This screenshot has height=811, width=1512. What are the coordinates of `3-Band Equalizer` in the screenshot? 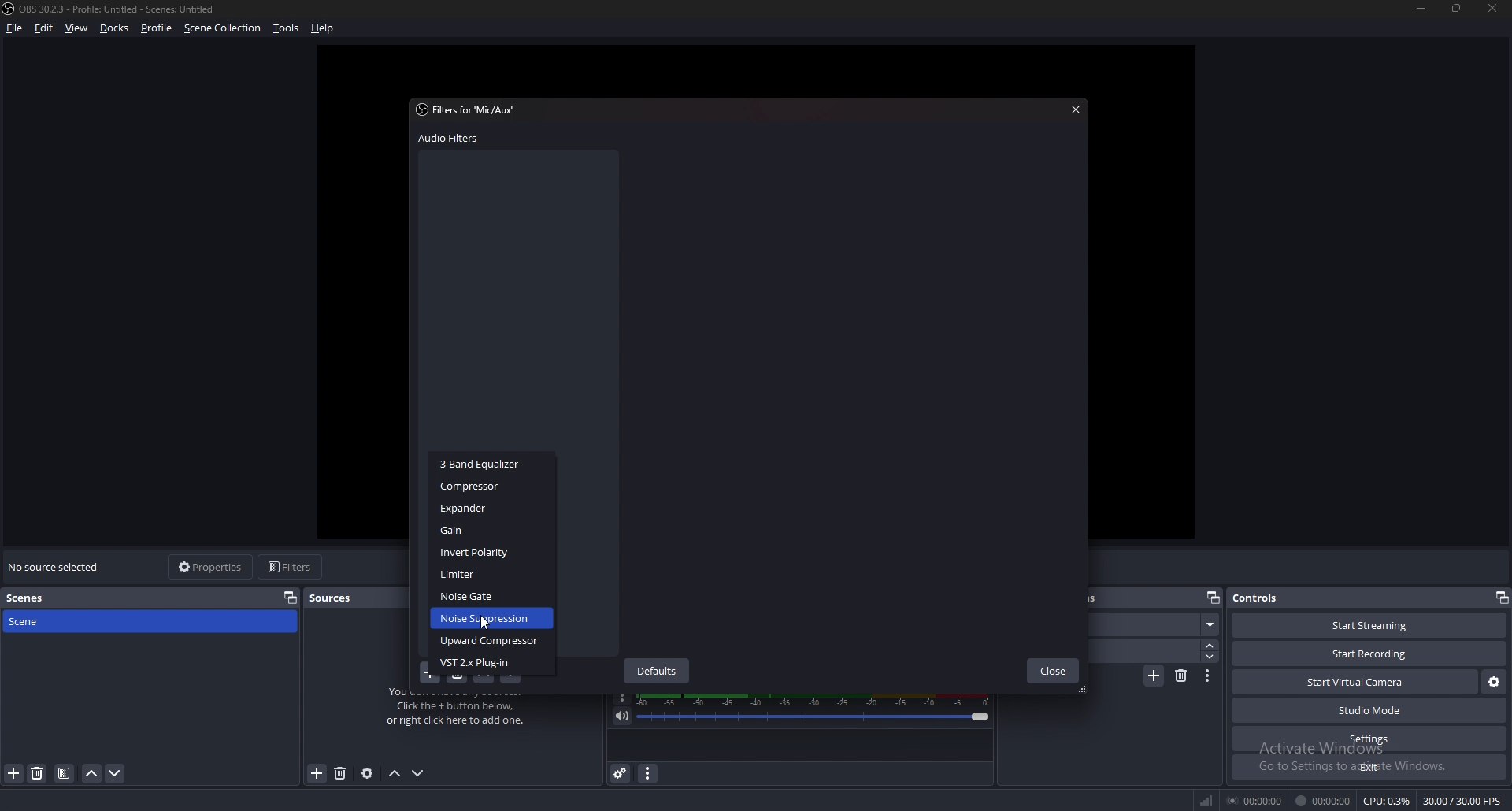 It's located at (482, 465).